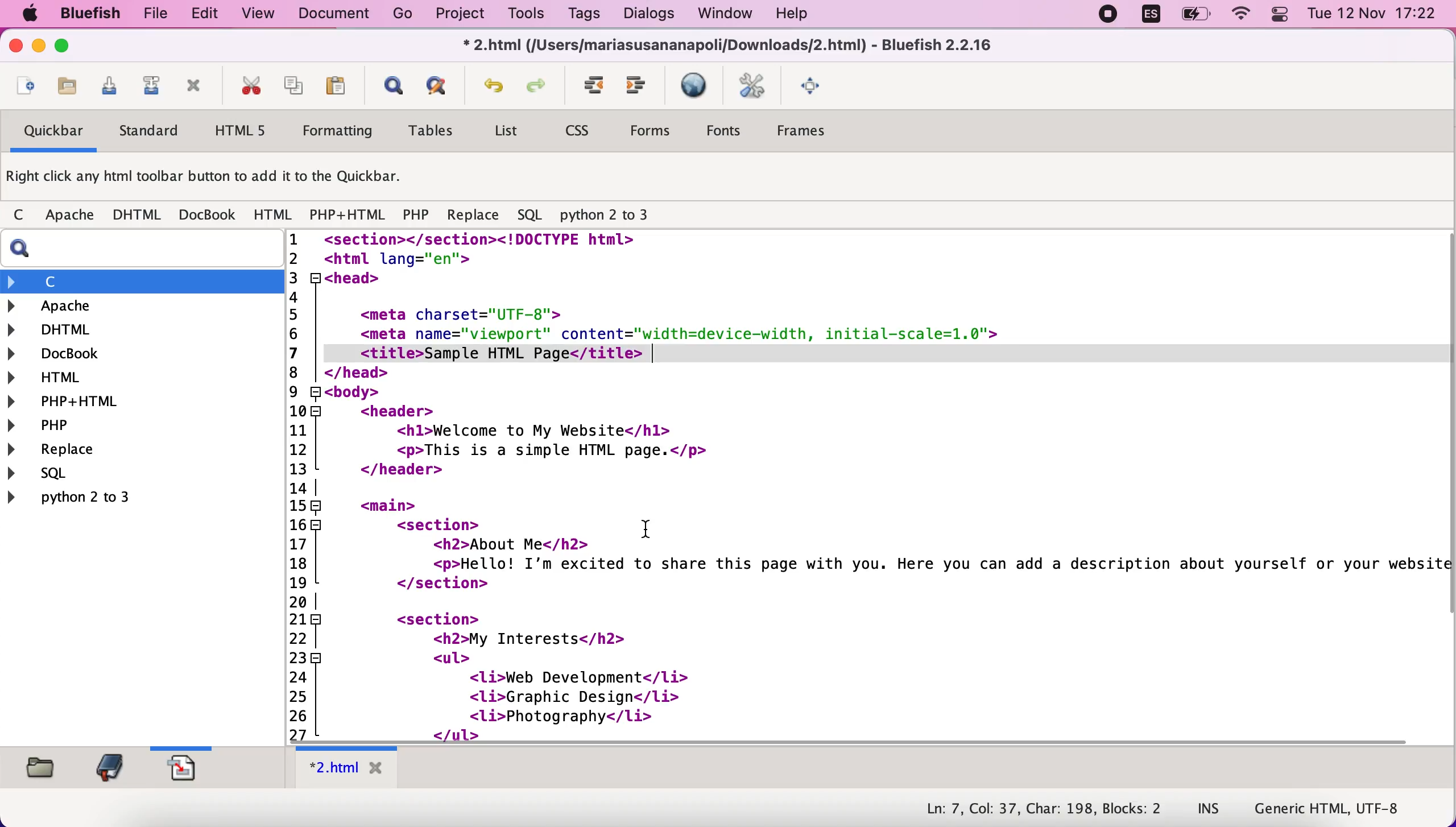 Image resolution: width=1456 pixels, height=827 pixels. What do you see at coordinates (529, 16) in the screenshot?
I see `tools` at bounding box center [529, 16].